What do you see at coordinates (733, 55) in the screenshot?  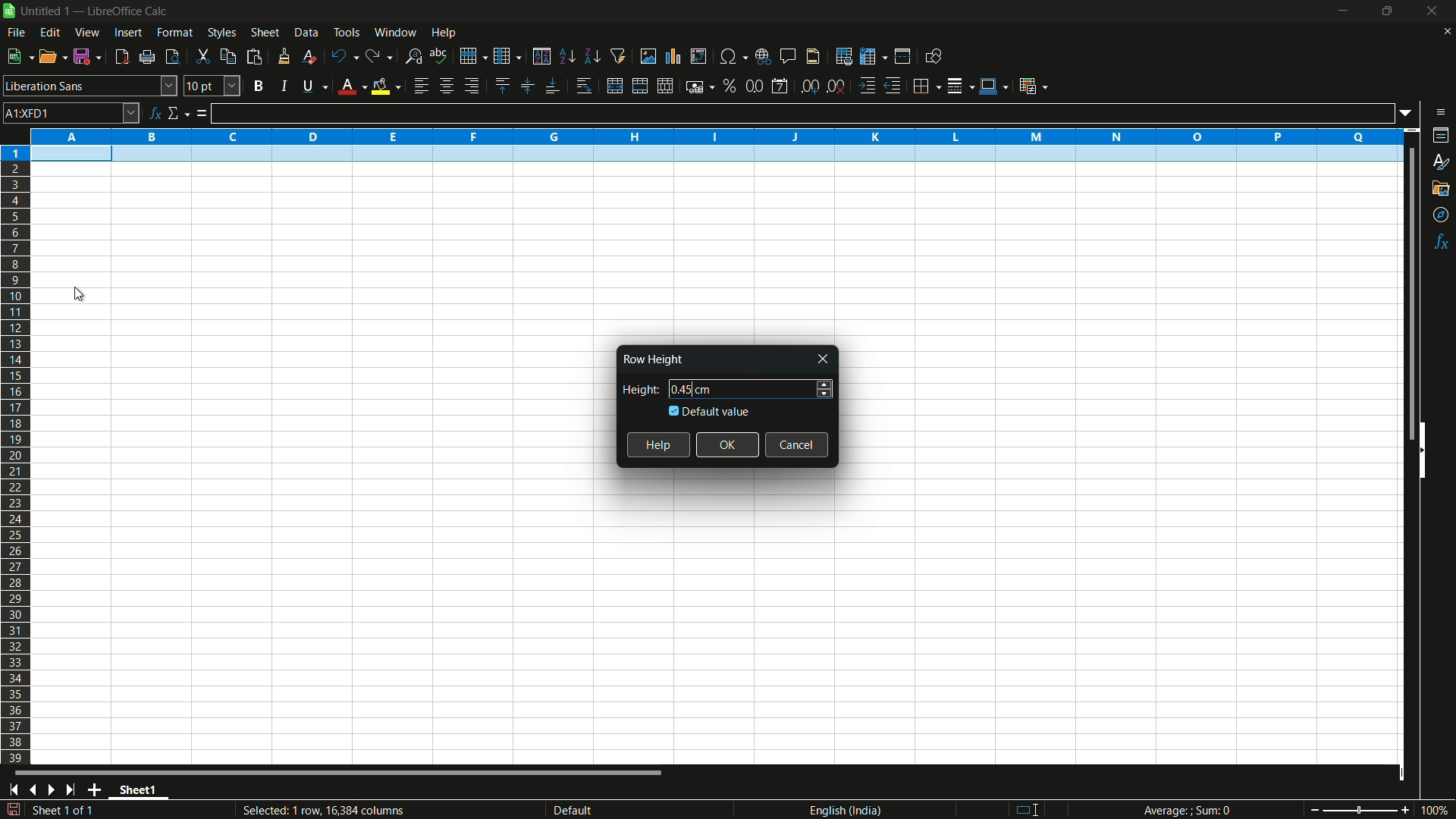 I see `insert special characters` at bounding box center [733, 55].